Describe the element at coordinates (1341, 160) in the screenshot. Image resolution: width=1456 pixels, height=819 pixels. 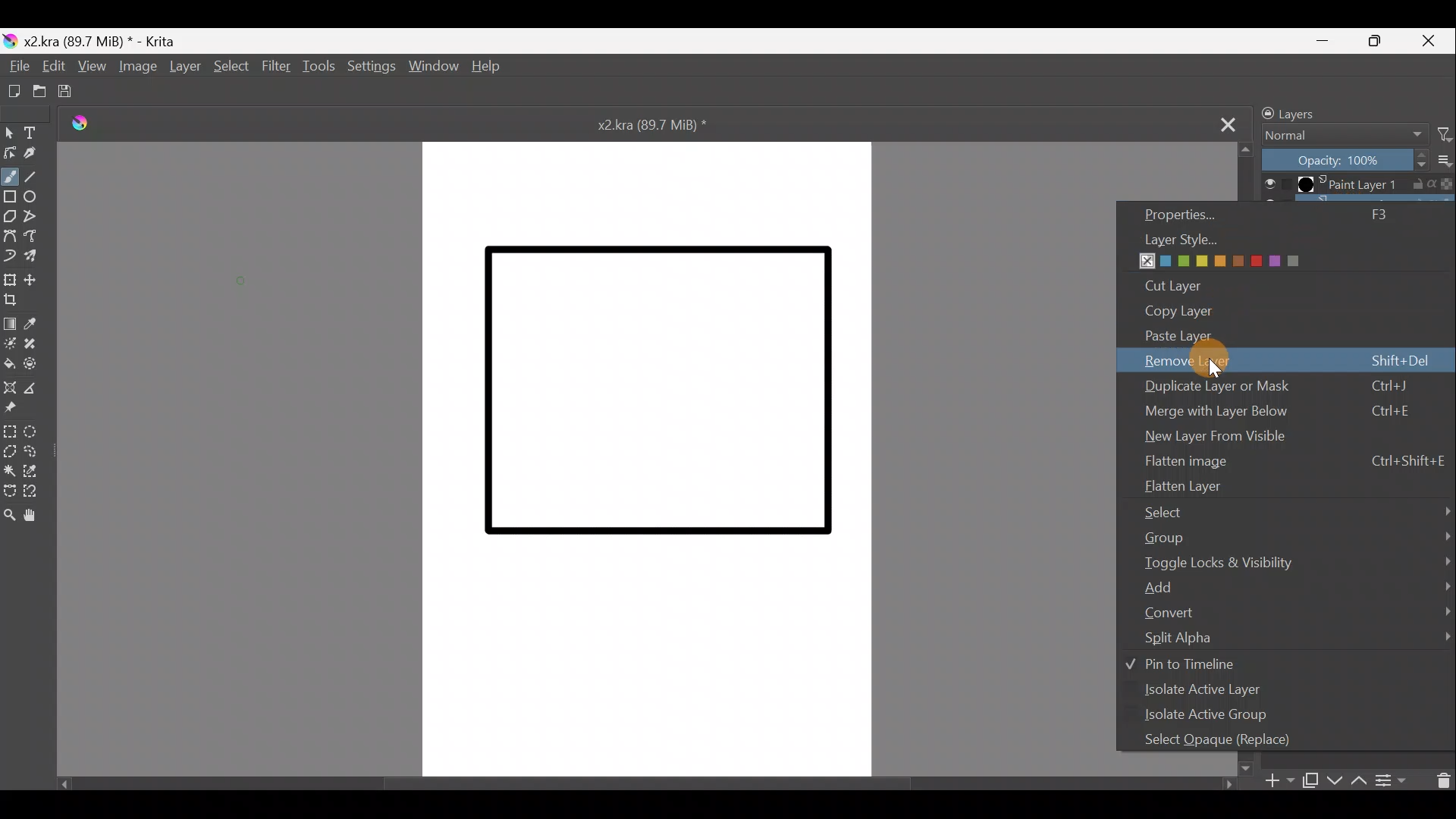
I see `Layer opacity: 100%` at that location.